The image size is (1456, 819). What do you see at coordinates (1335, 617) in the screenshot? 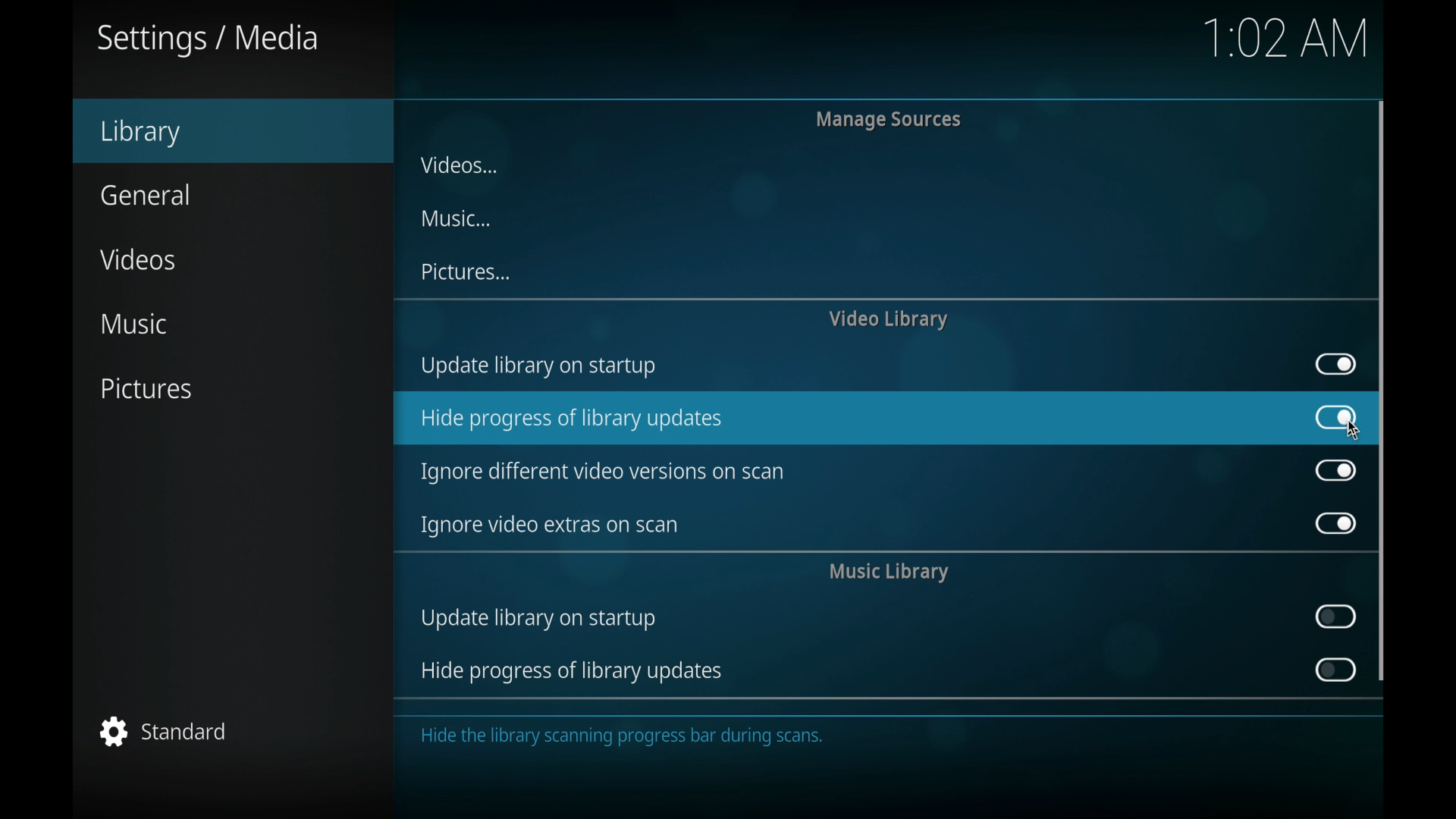
I see `toggle button` at bounding box center [1335, 617].